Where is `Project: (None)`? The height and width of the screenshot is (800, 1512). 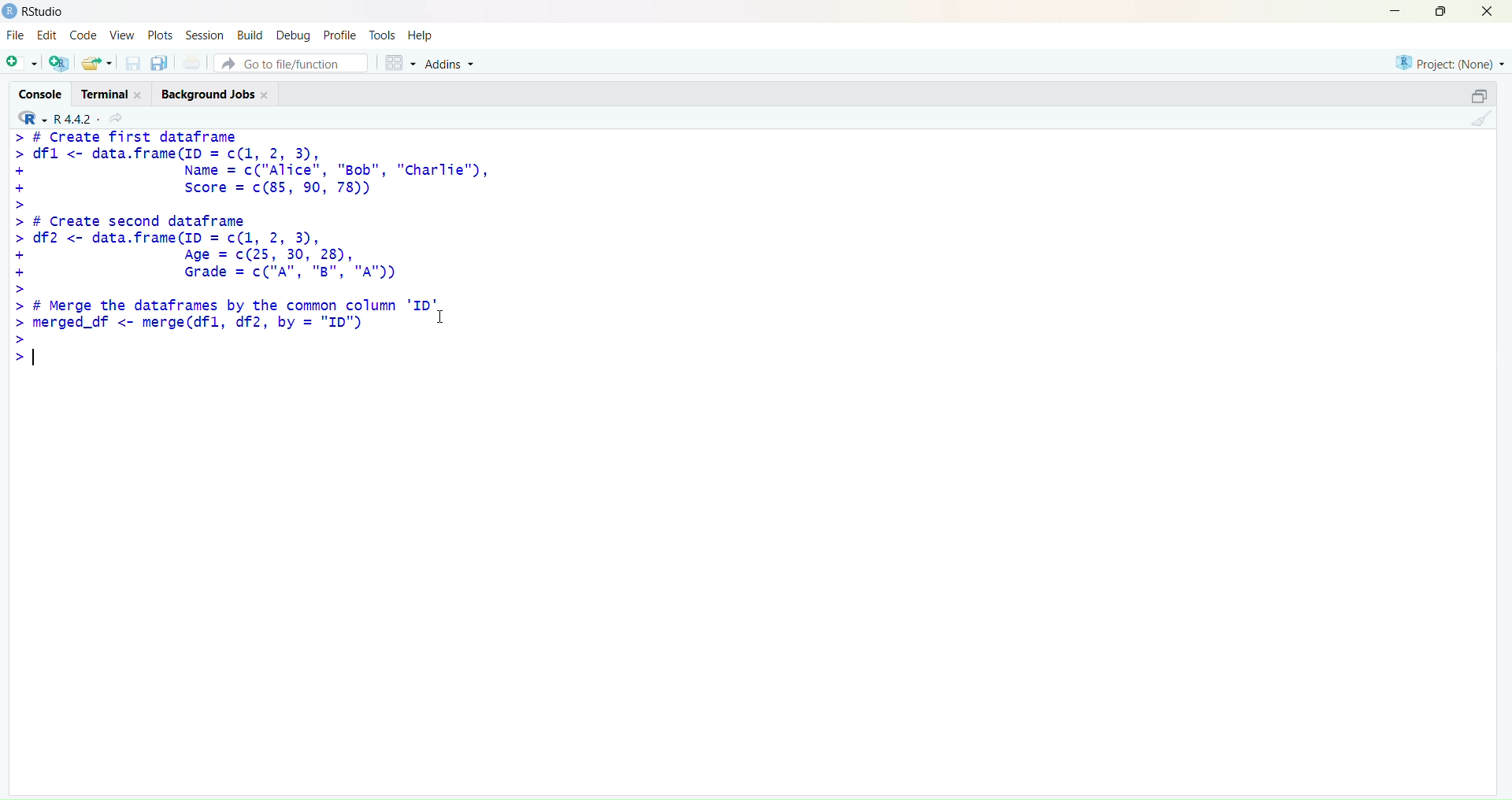 Project: (None) is located at coordinates (1451, 62).